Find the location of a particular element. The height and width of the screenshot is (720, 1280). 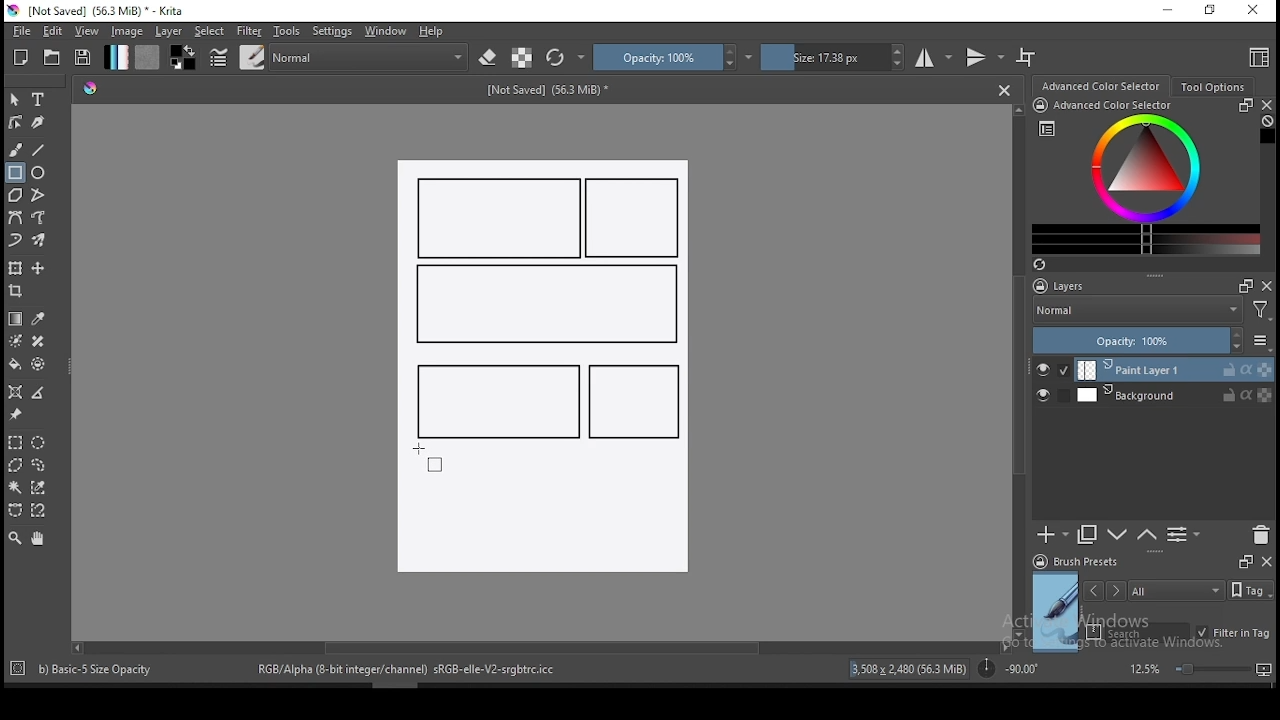

opacity is located at coordinates (1150, 342).